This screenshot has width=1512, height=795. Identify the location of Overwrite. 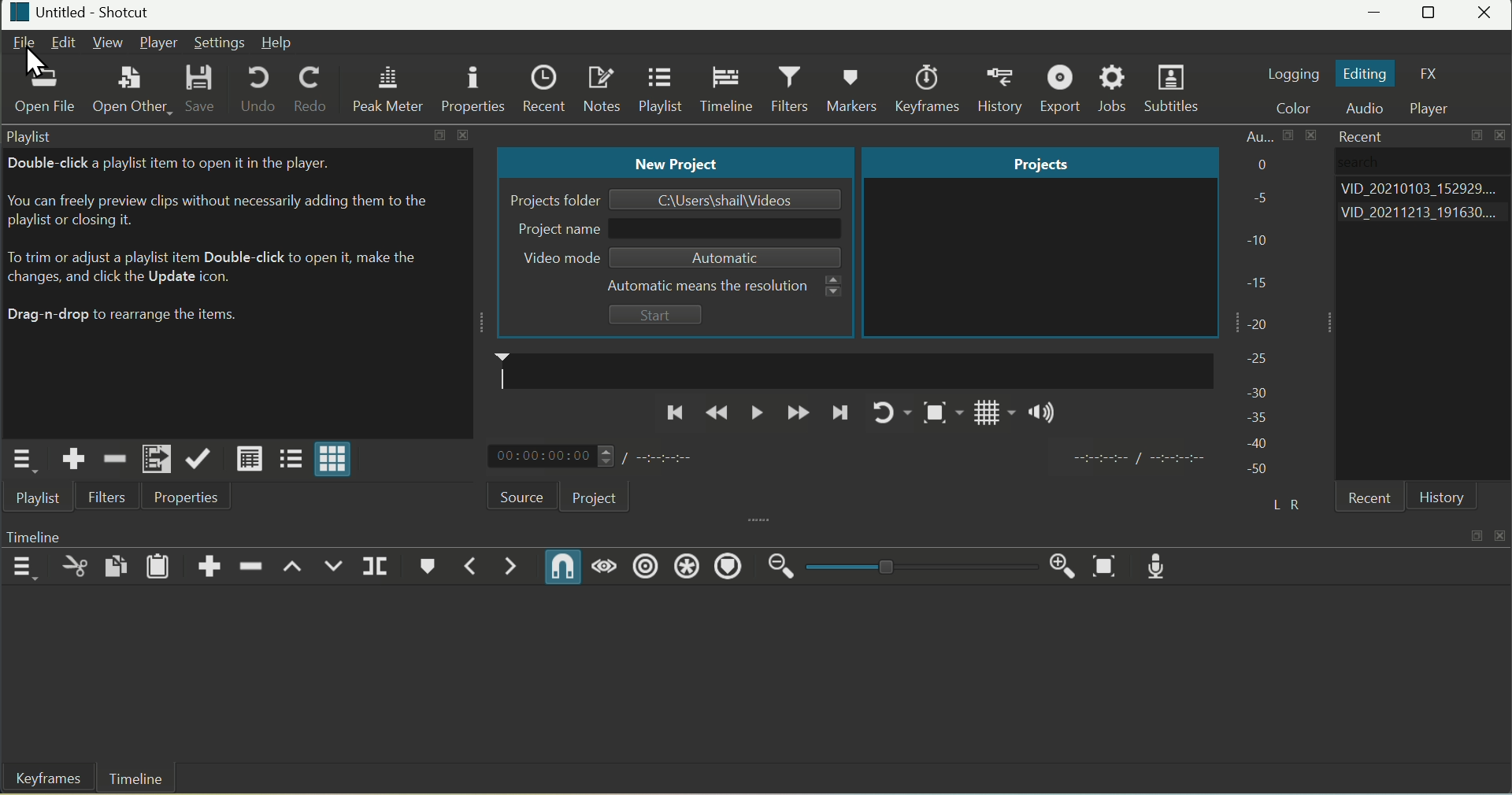
(335, 568).